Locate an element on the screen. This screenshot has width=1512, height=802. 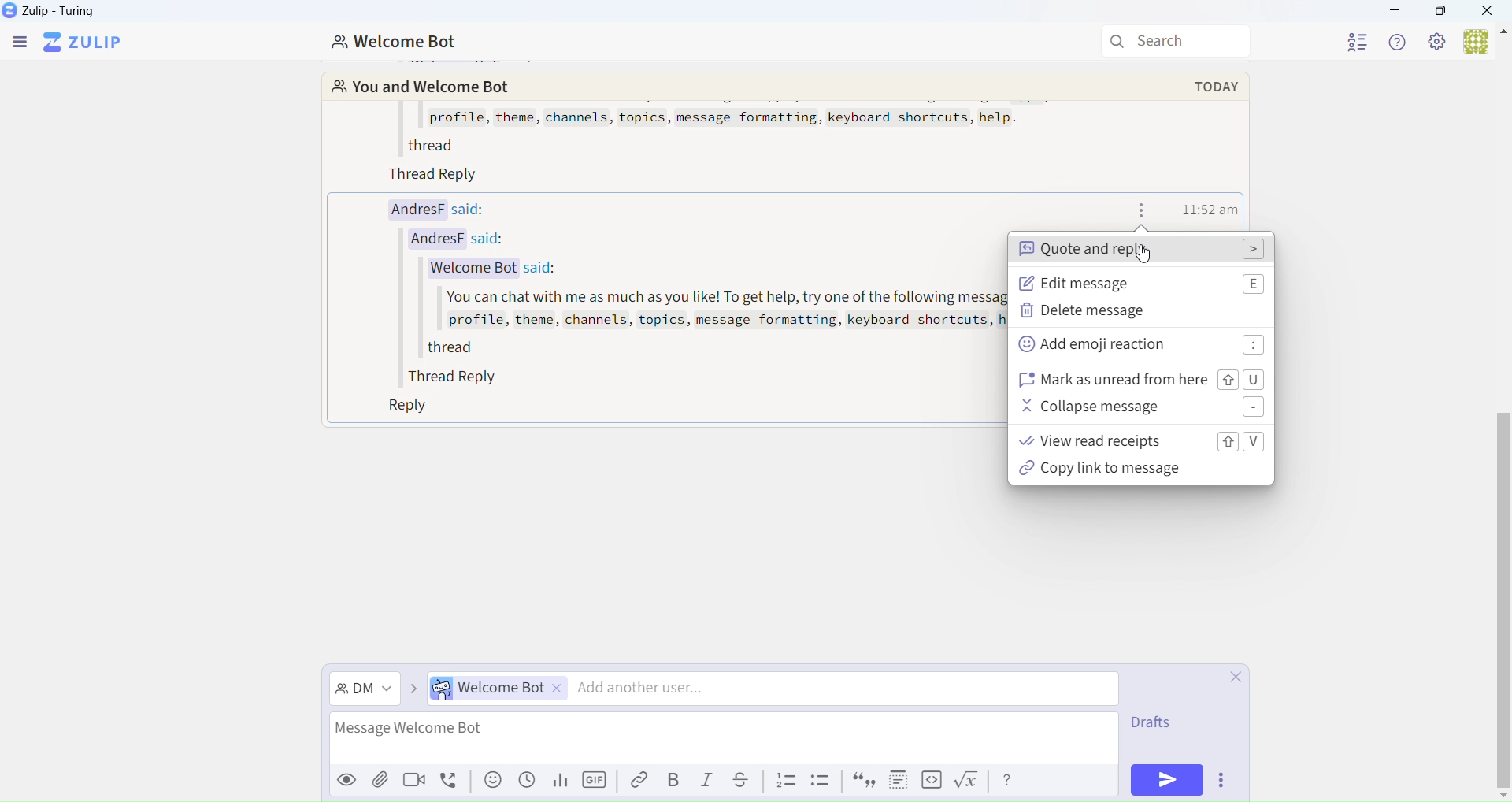
Close is located at coordinates (1227, 680).